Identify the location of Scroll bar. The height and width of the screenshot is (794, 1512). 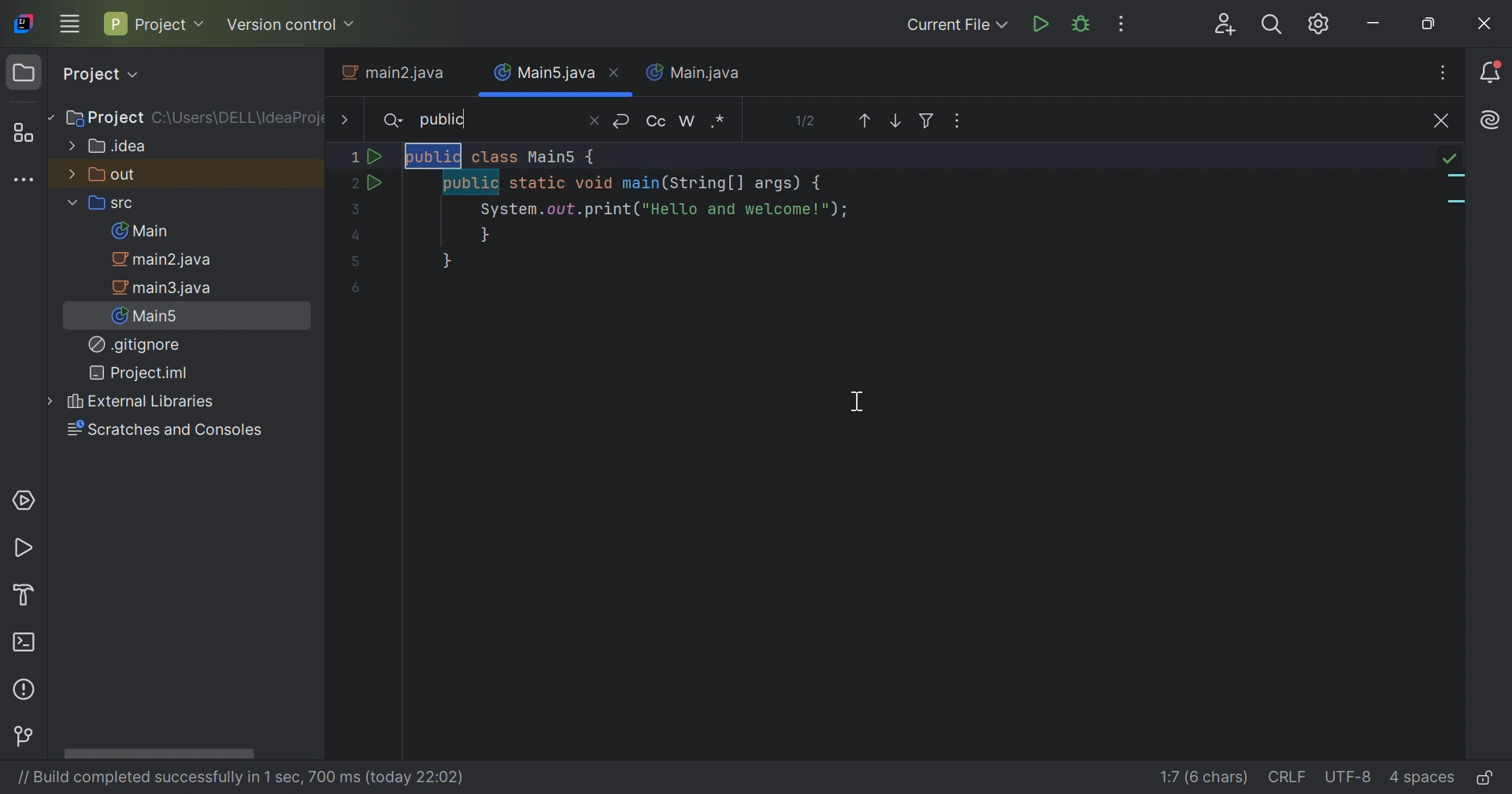
(158, 754).